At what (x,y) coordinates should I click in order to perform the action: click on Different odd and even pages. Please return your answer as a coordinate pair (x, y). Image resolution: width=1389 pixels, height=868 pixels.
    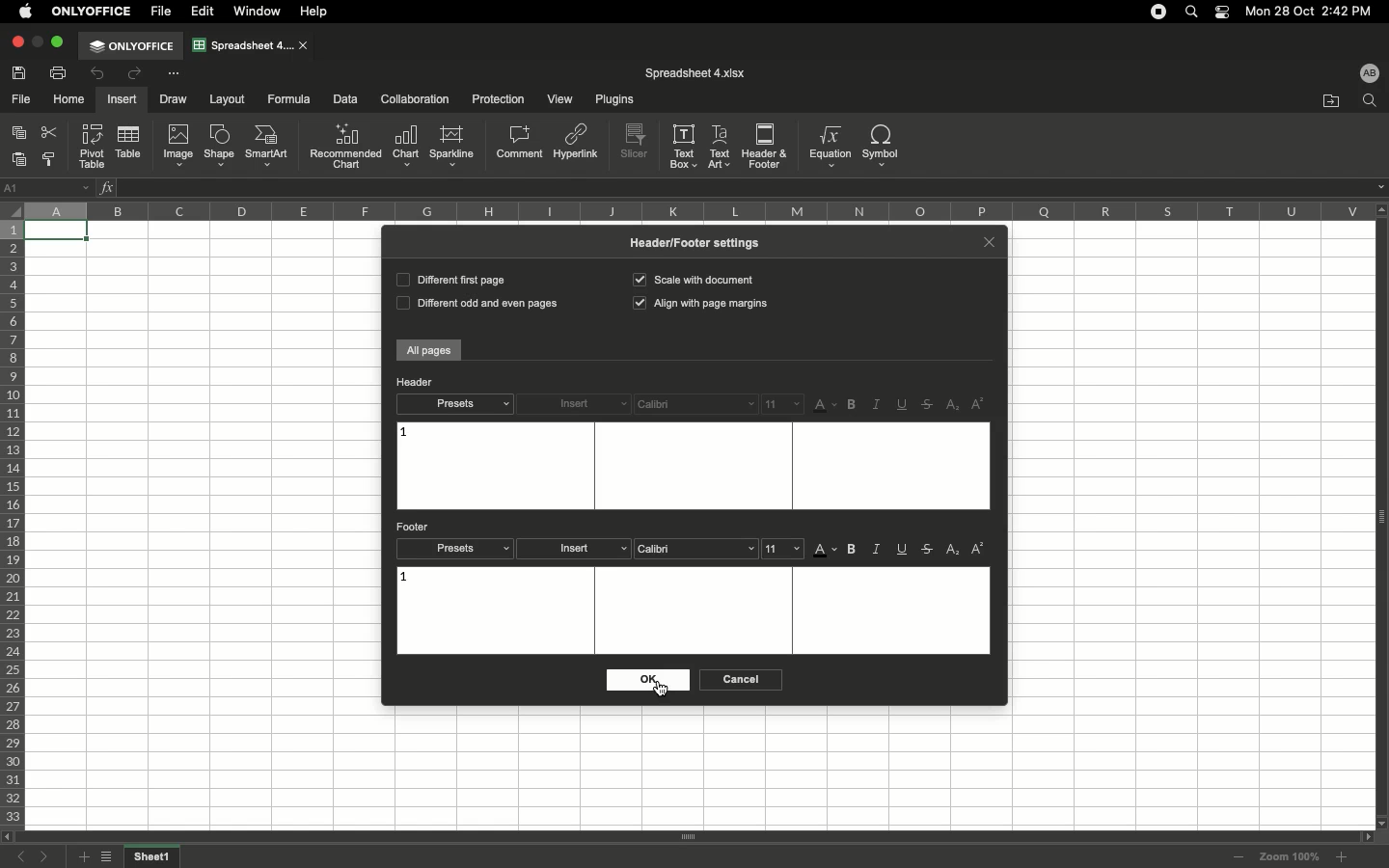
    Looking at the image, I should click on (474, 305).